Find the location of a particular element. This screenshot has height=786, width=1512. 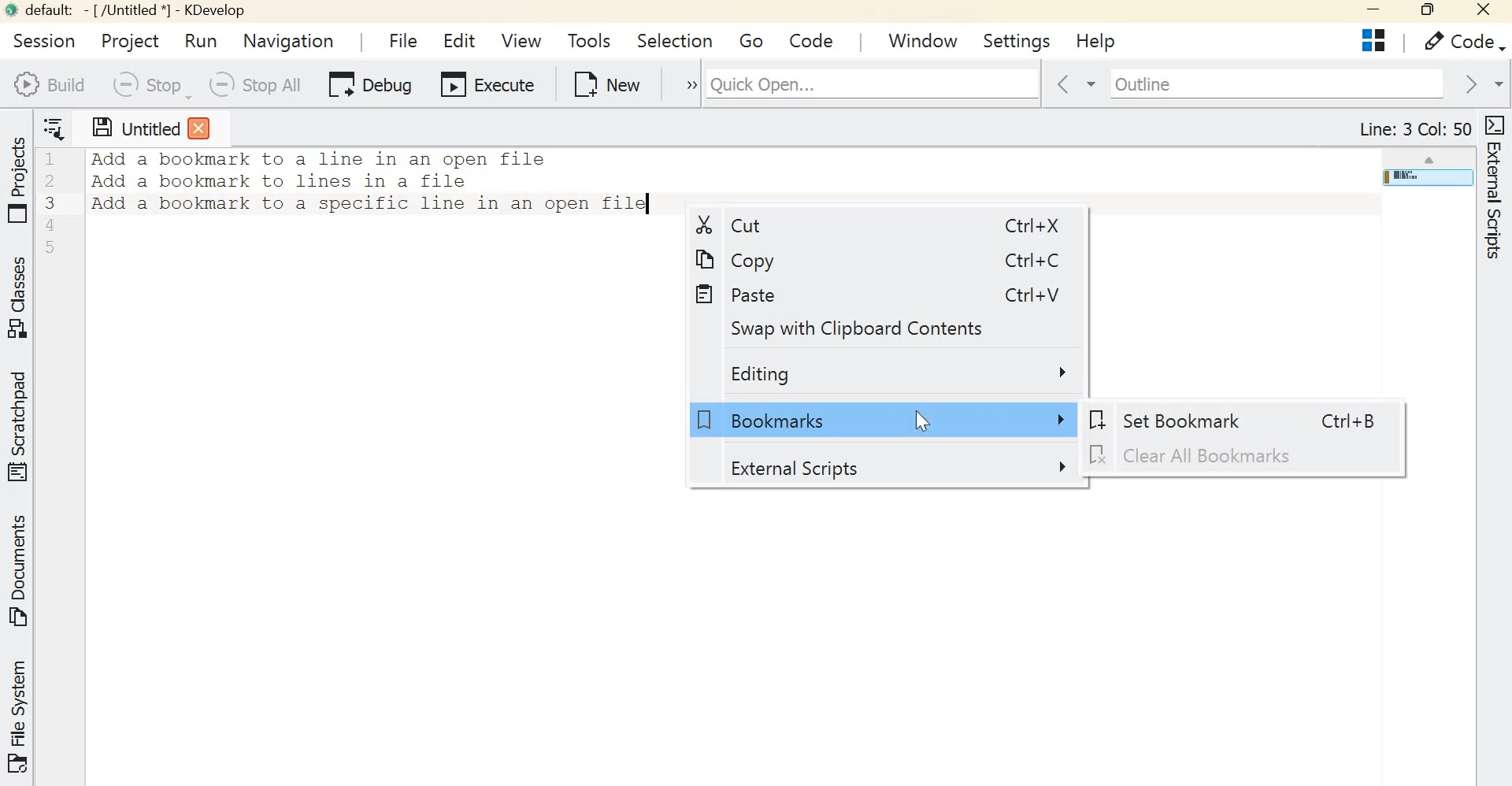

Ctrl+B is located at coordinates (1342, 420).